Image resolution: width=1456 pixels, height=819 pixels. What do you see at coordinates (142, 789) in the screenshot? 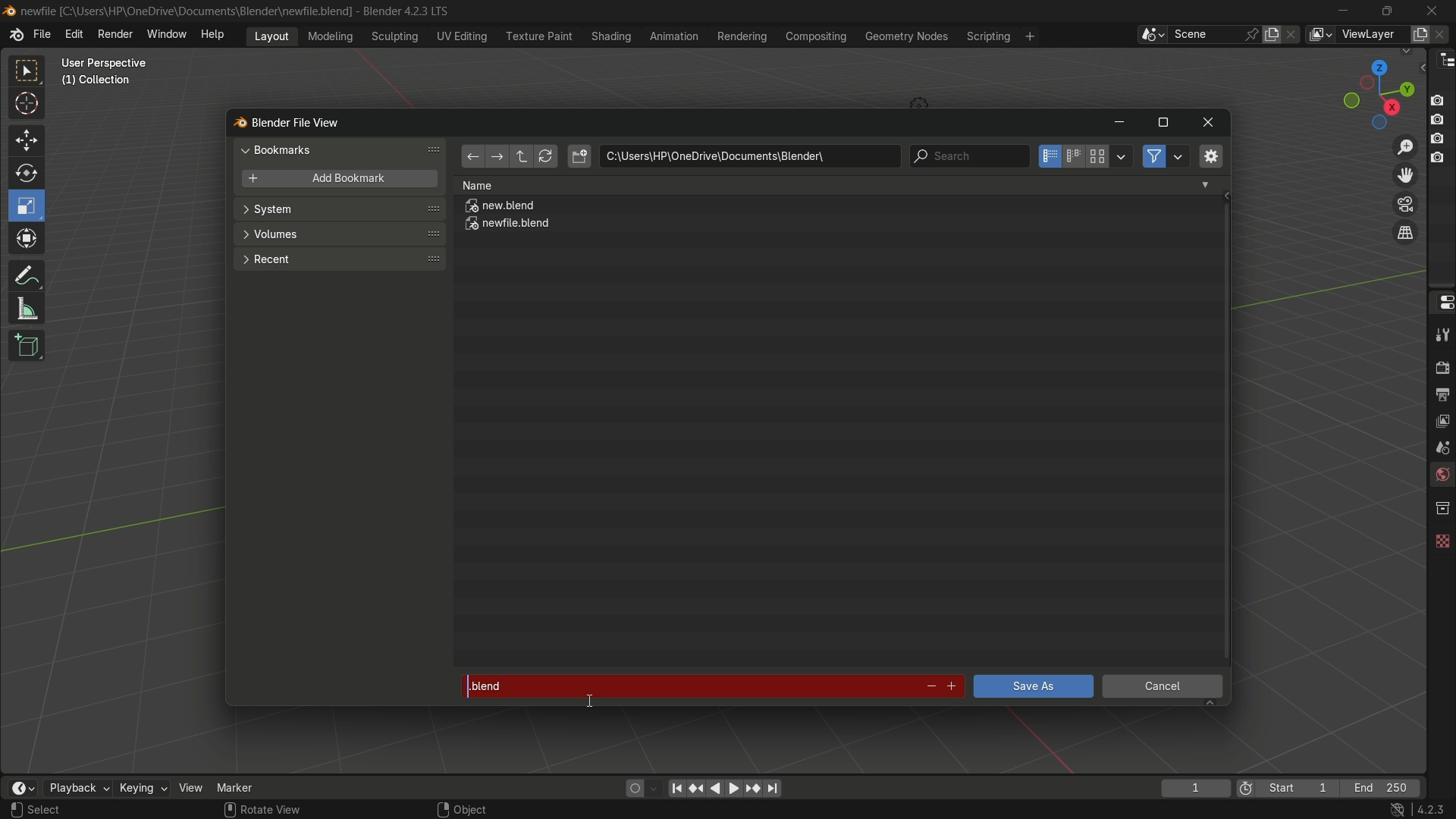
I see `keying` at bounding box center [142, 789].